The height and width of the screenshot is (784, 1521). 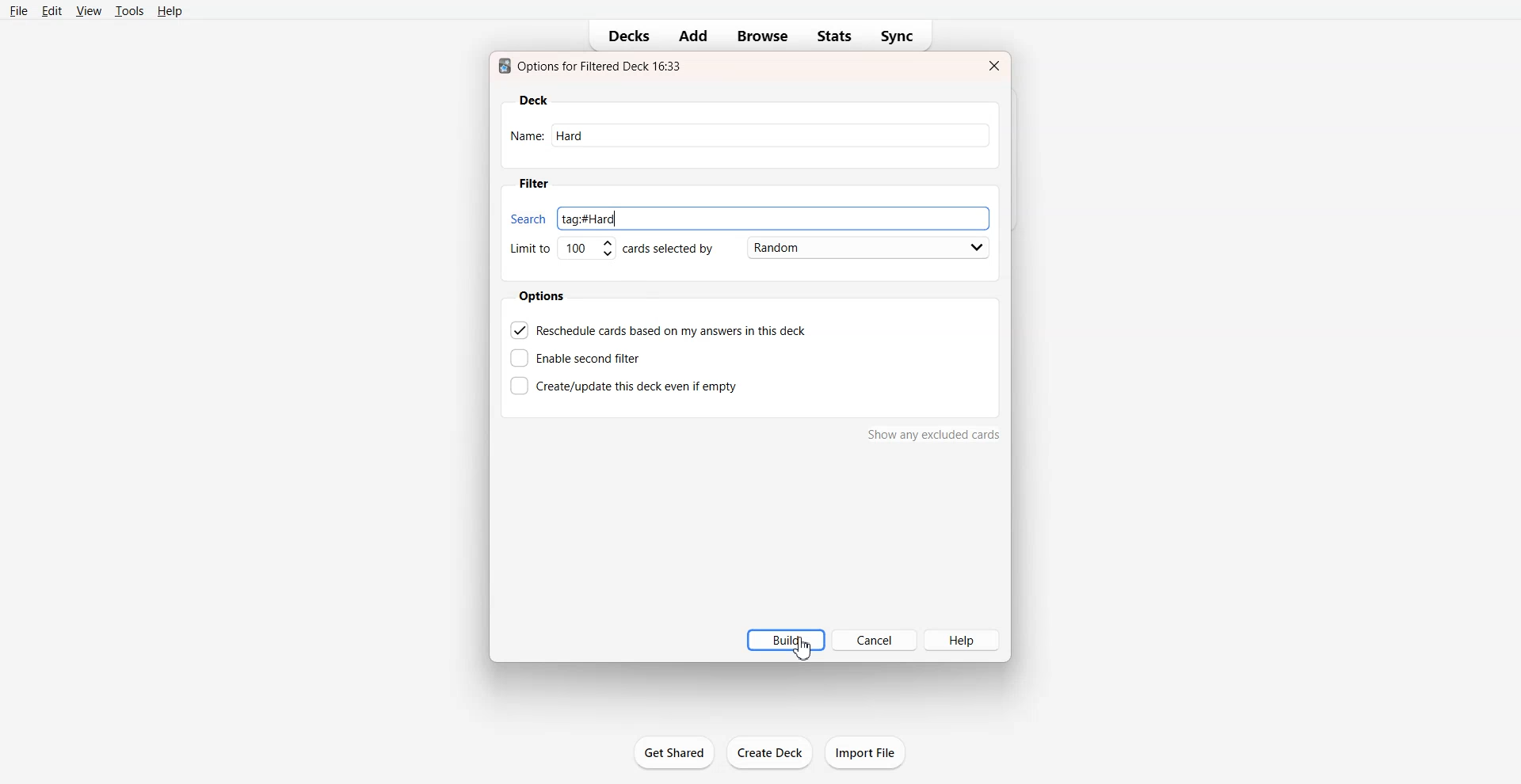 What do you see at coordinates (623, 384) in the screenshot?
I see `Create this deck even if empty` at bounding box center [623, 384].